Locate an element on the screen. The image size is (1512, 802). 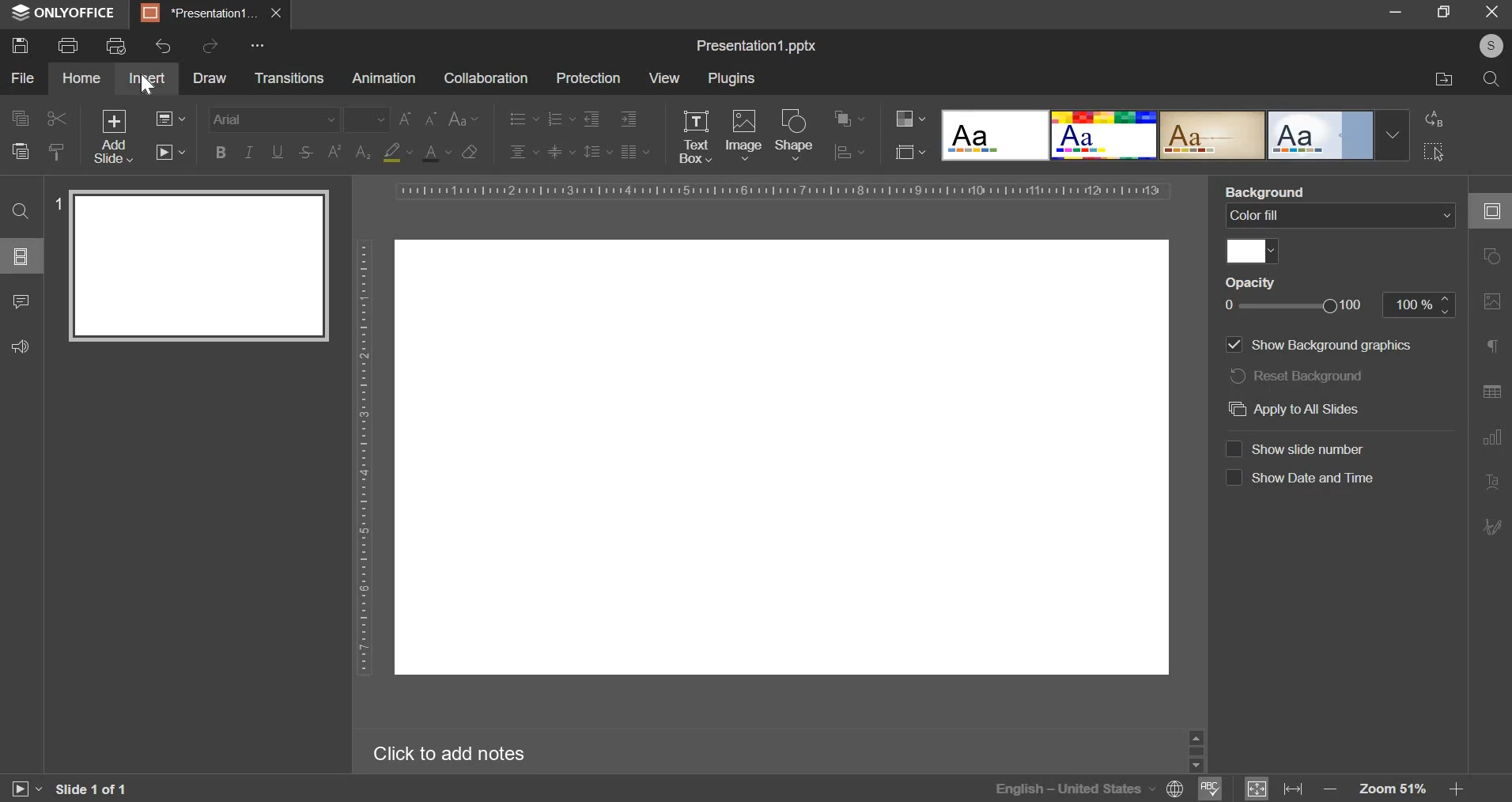
horizontal alignment is located at coordinates (523, 152).